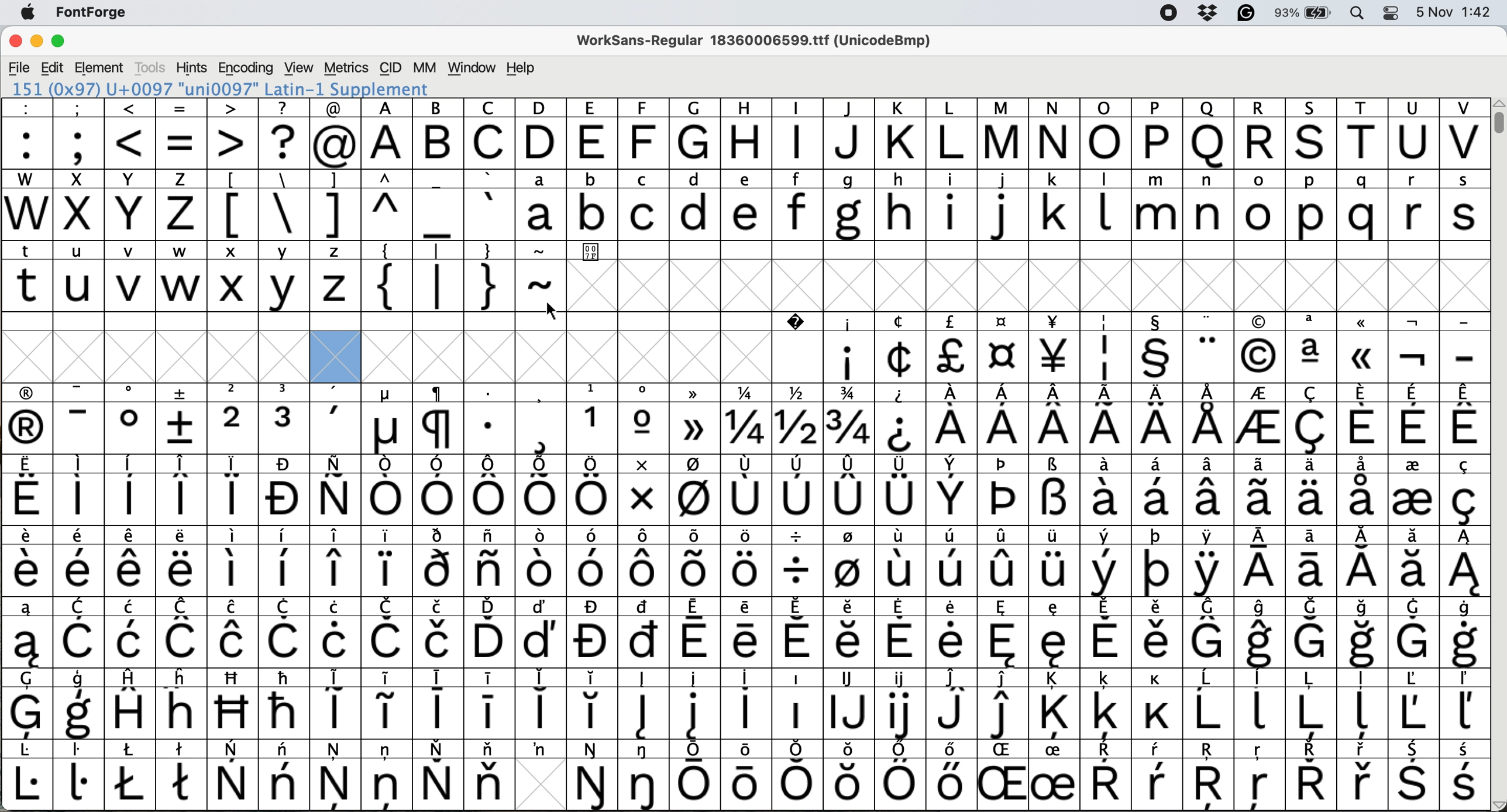  What do you see at coordinates (1310, 703) in the screenshot?
I see `symbol` at bounding box center [1310, 703].